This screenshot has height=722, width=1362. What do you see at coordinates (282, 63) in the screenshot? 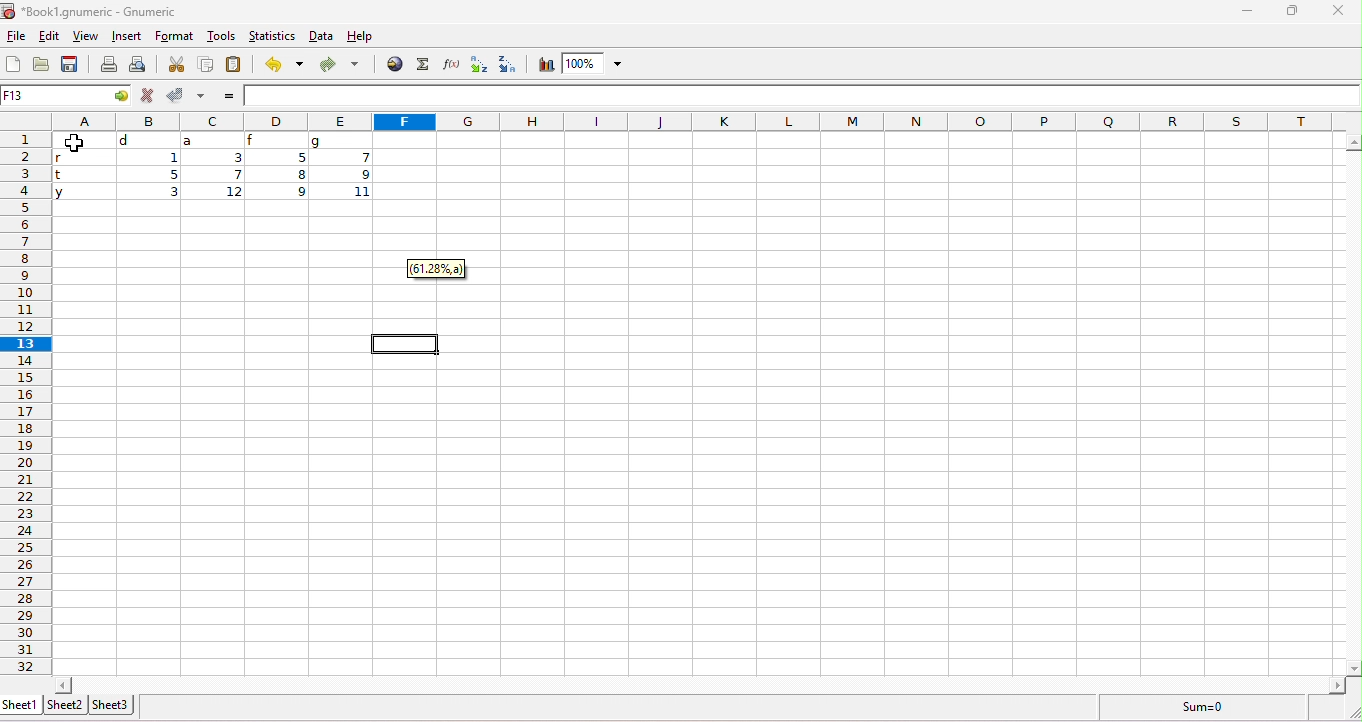
I see `undo` at bounding box center [282, 63].